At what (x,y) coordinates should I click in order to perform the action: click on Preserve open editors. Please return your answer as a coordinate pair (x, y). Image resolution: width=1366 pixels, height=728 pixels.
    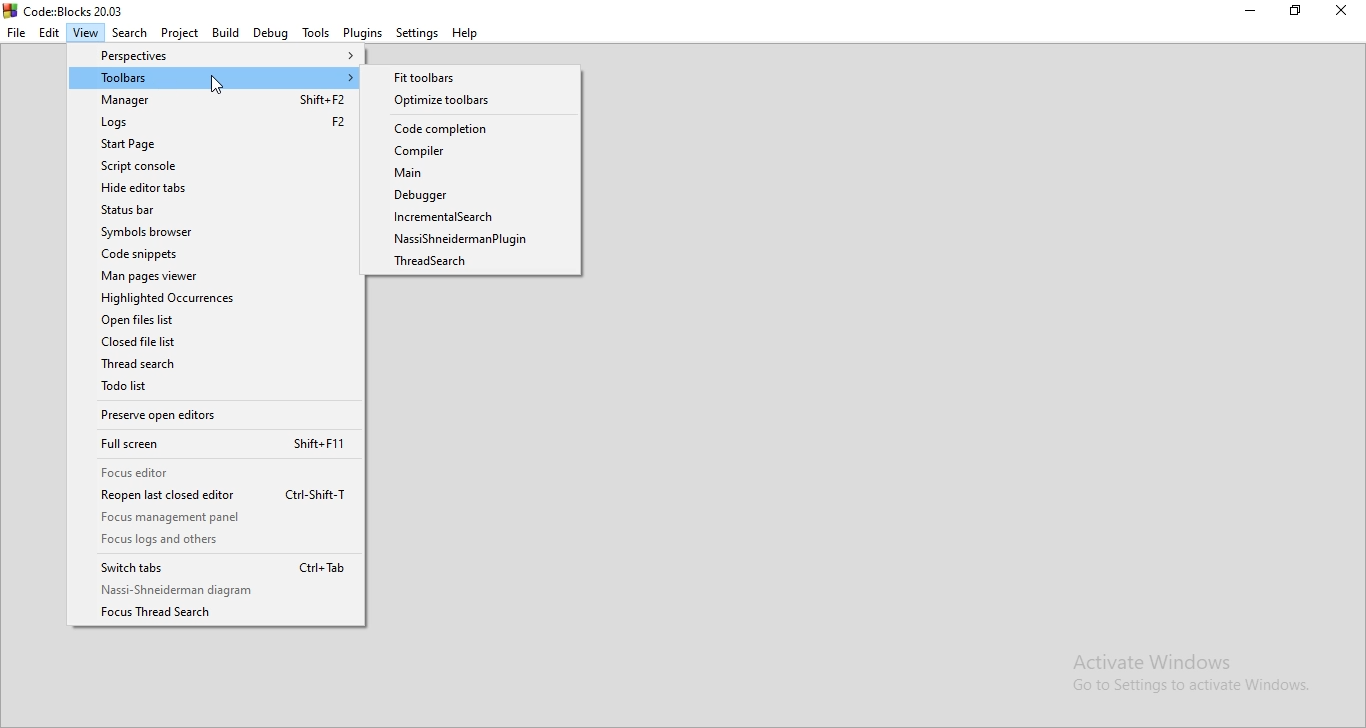
    Looking at the image, I should click on (218, 413).